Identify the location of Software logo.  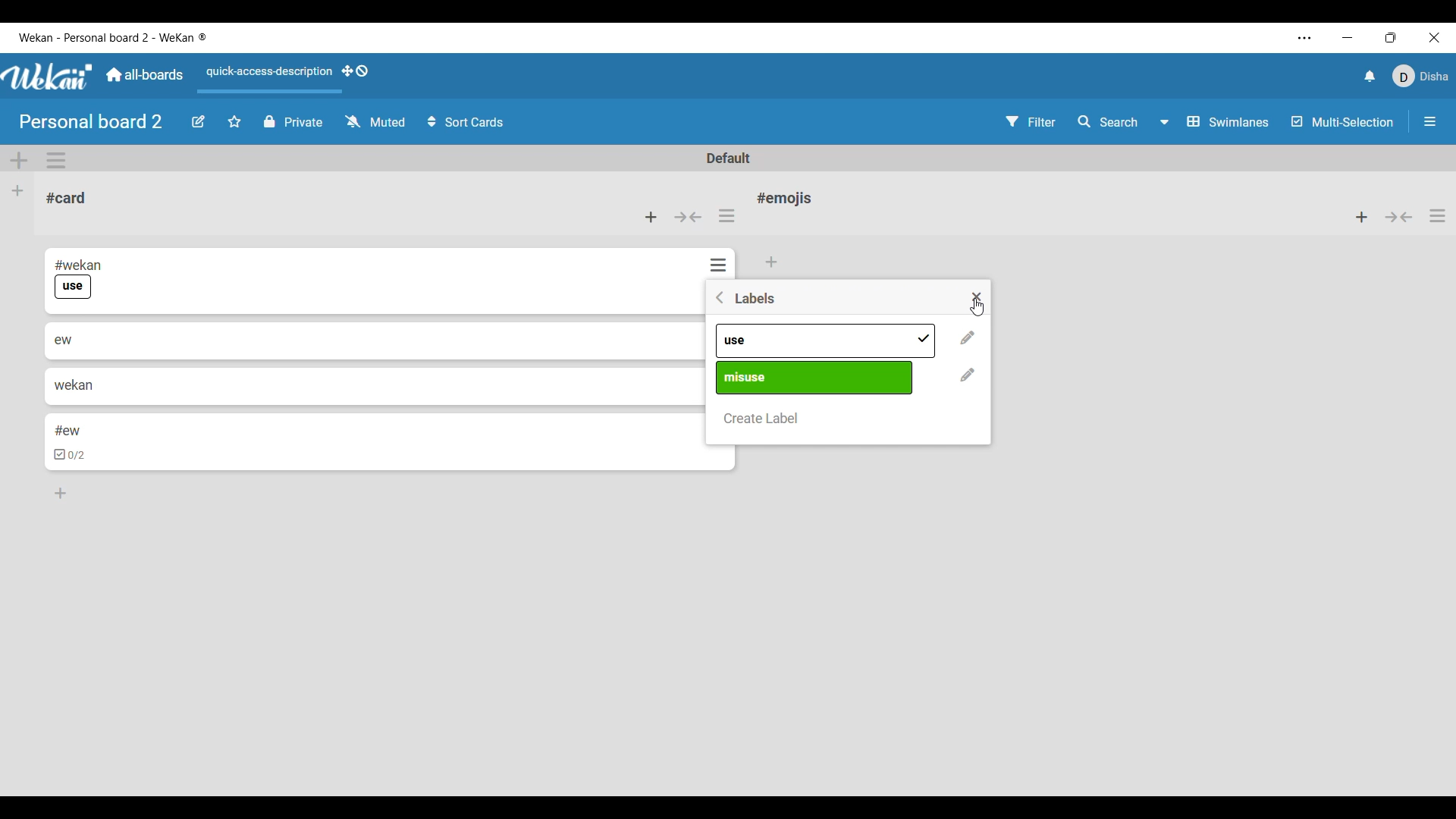
(48, 77).